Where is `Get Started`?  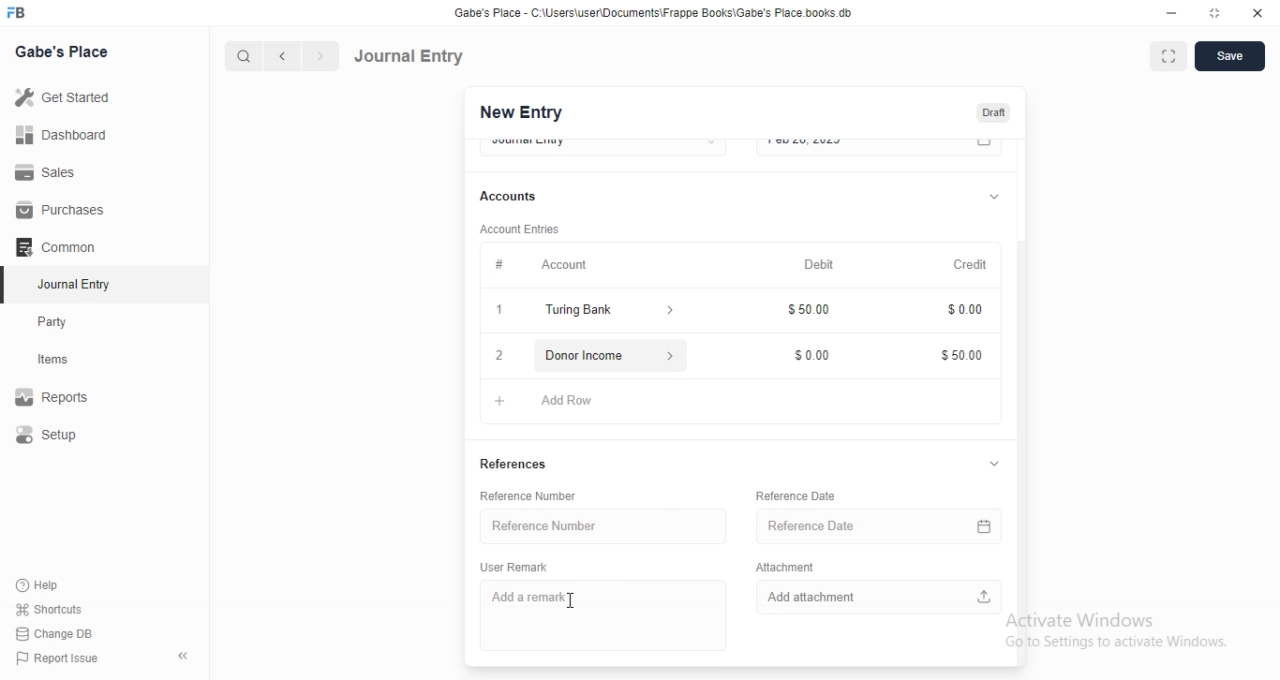
Get Started is located at coordinates (67, 97).